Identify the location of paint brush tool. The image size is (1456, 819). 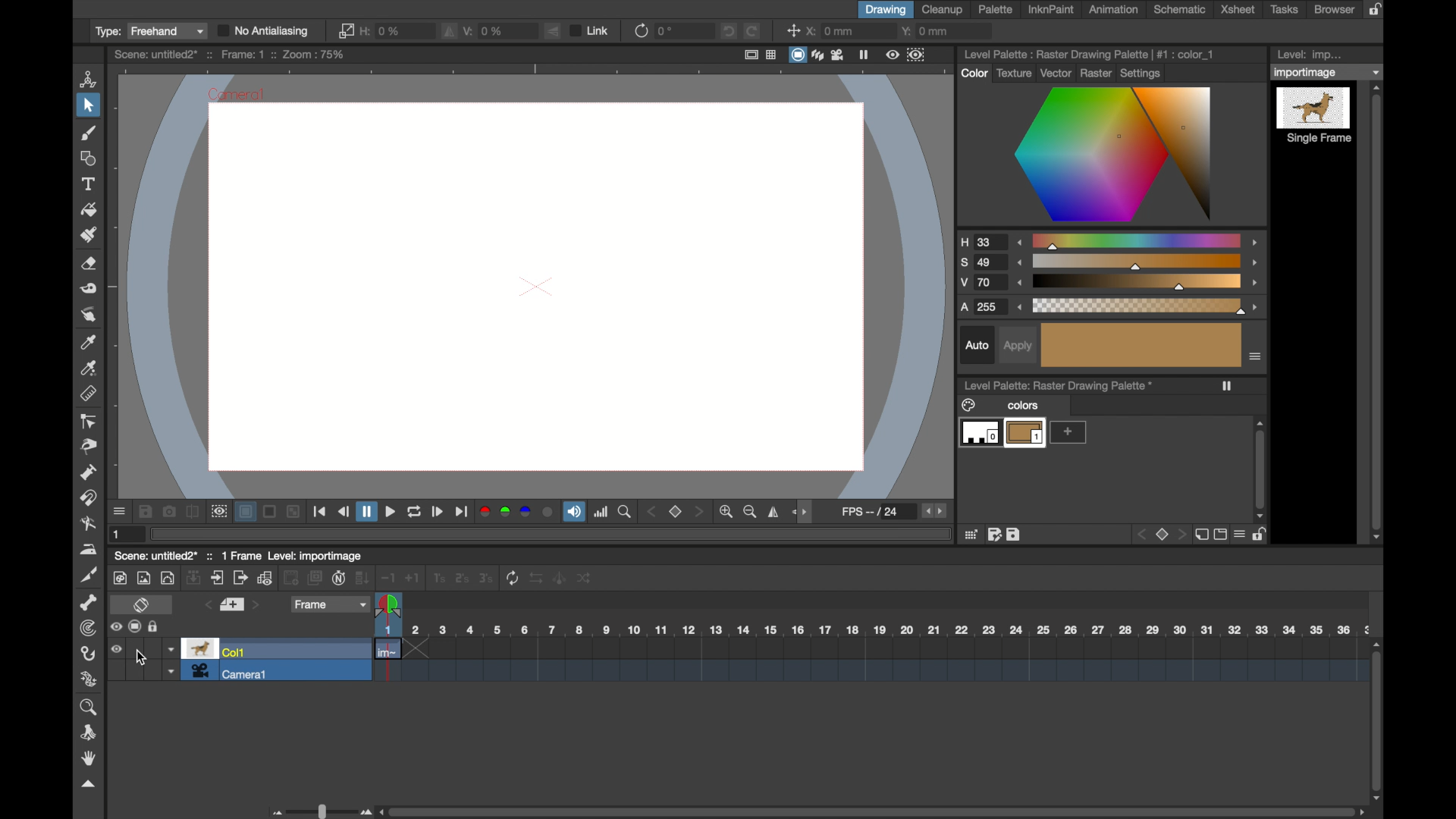
(89, 234).